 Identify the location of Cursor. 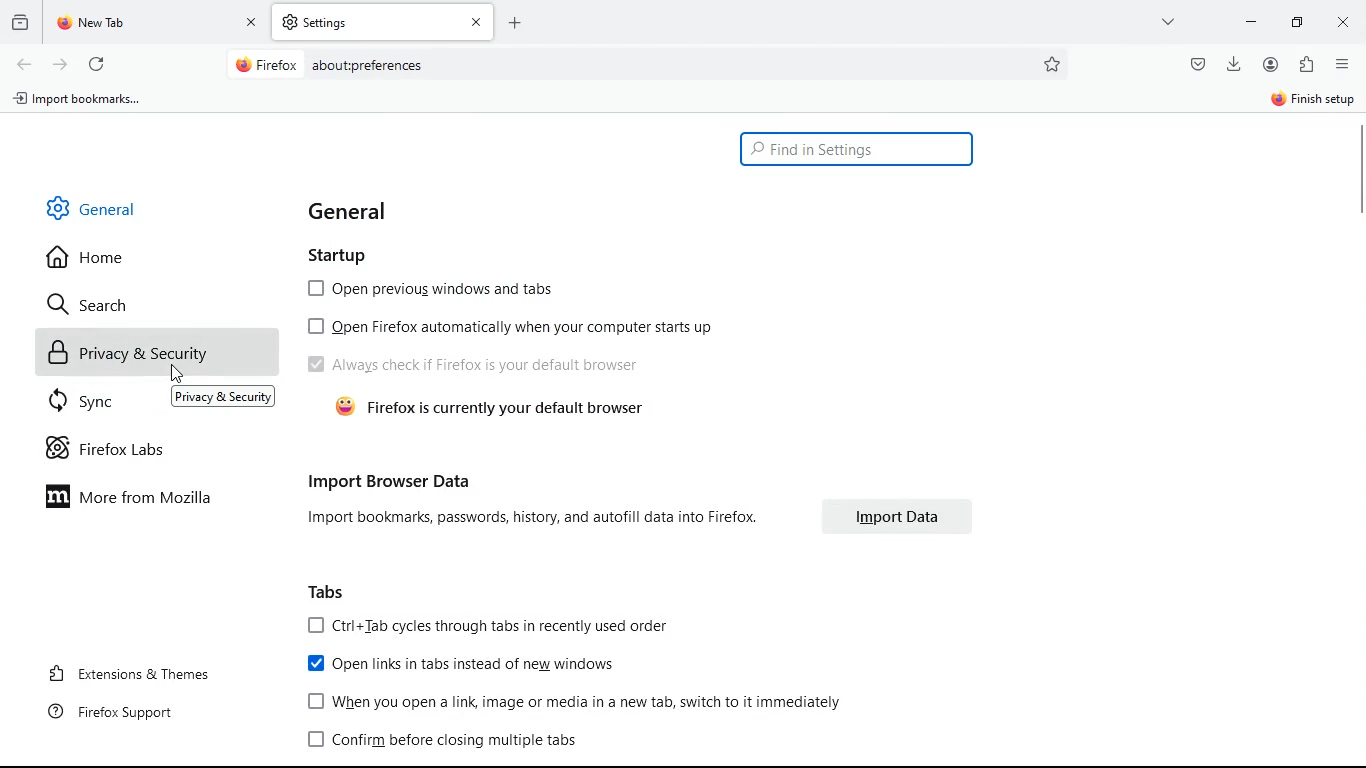
(179, 373).